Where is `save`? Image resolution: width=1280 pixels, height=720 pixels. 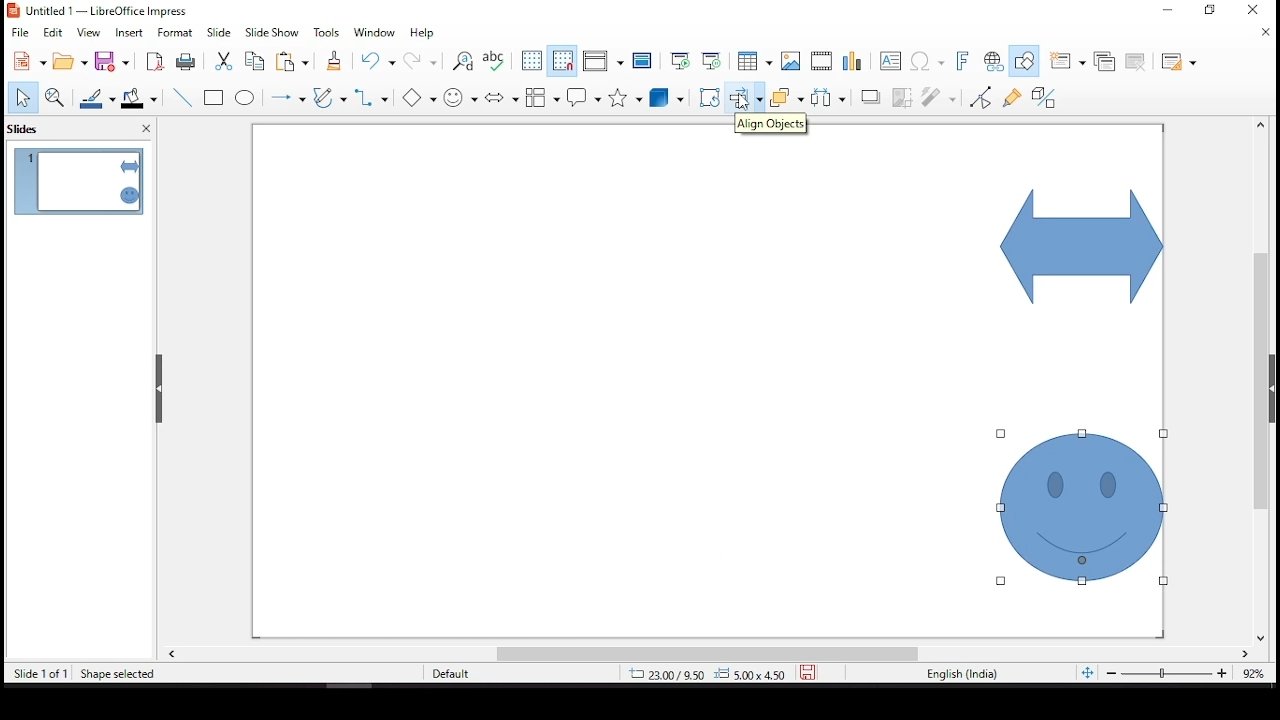 save is located at coordinates (114, 62).